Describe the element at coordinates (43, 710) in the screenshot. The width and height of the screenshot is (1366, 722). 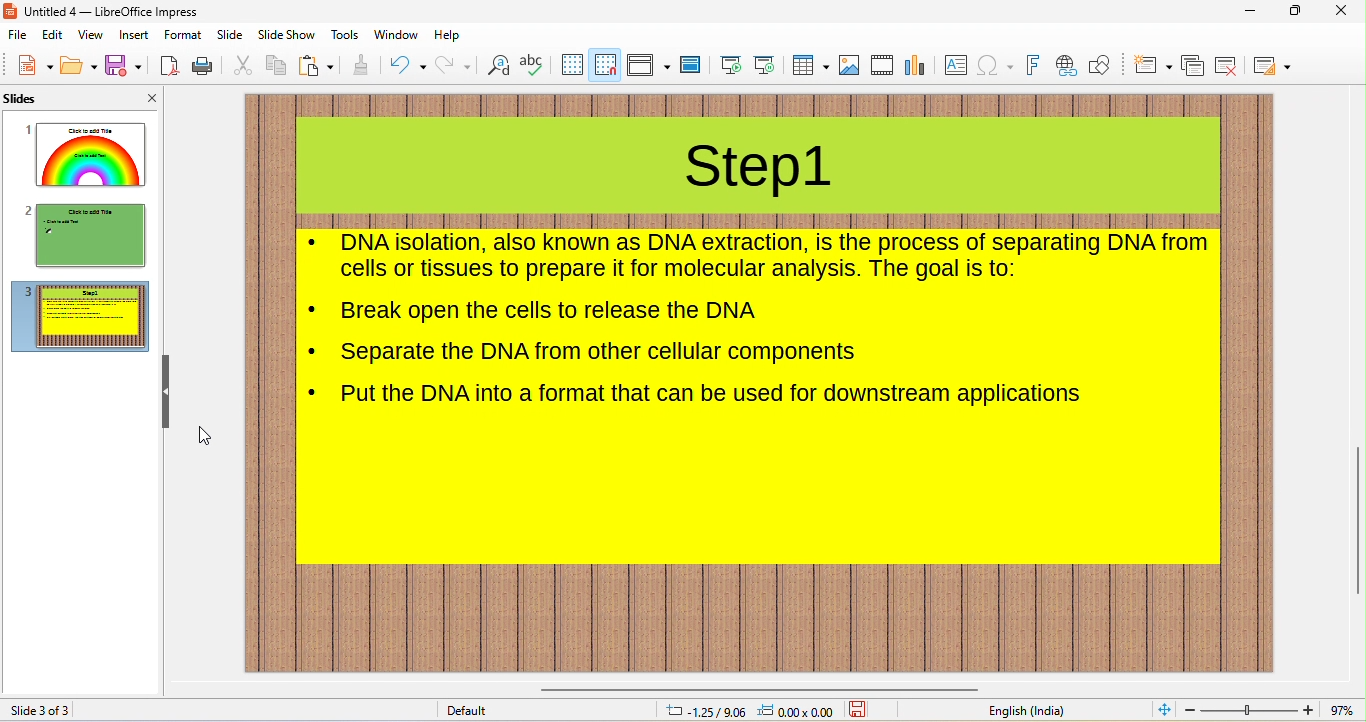
I see `slide 3 of 3` at that location.